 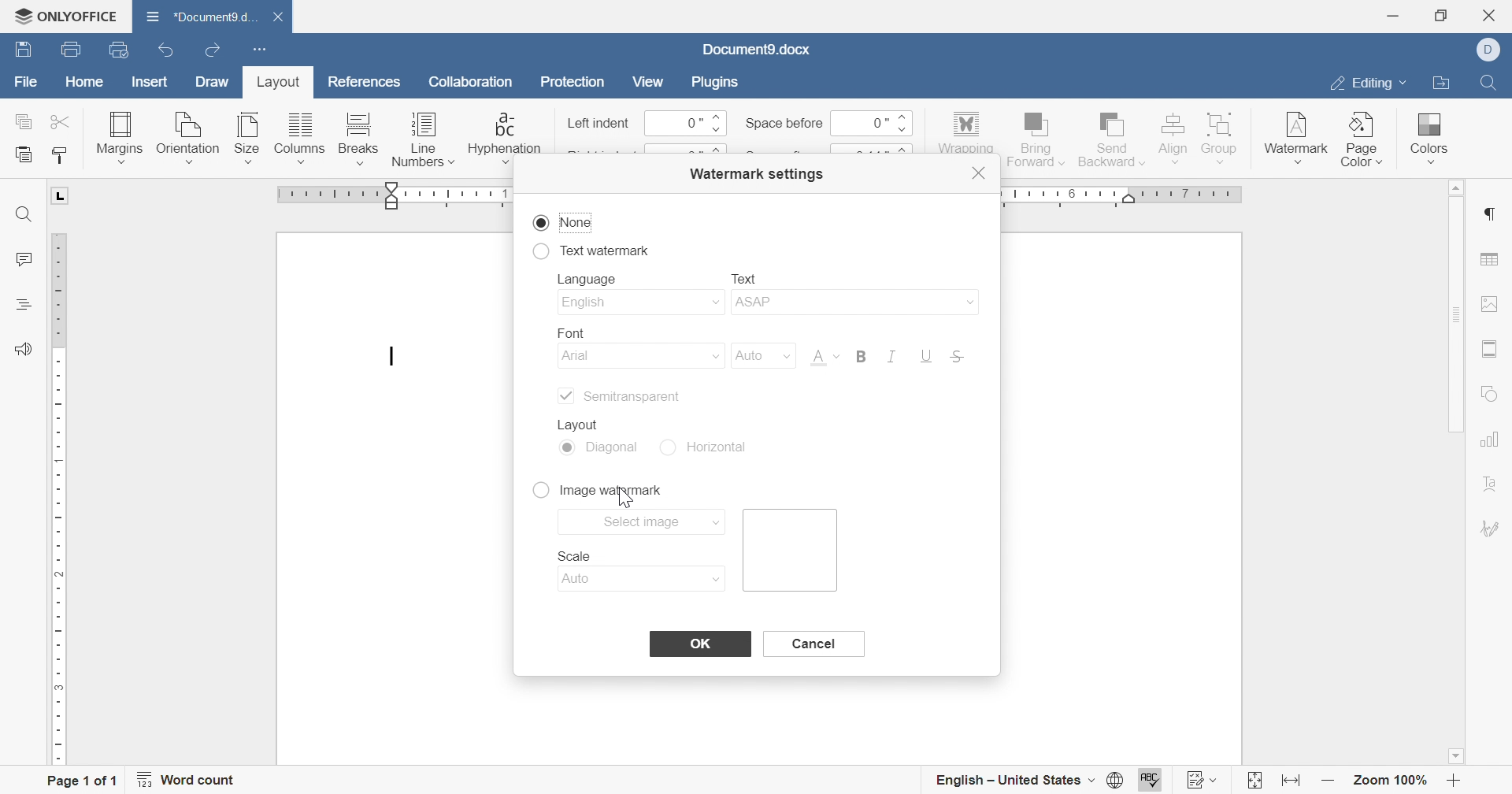 What do you see at coordinates (215, 52) in the screenshot?
I see `redo` at bounding box center [215, 52].